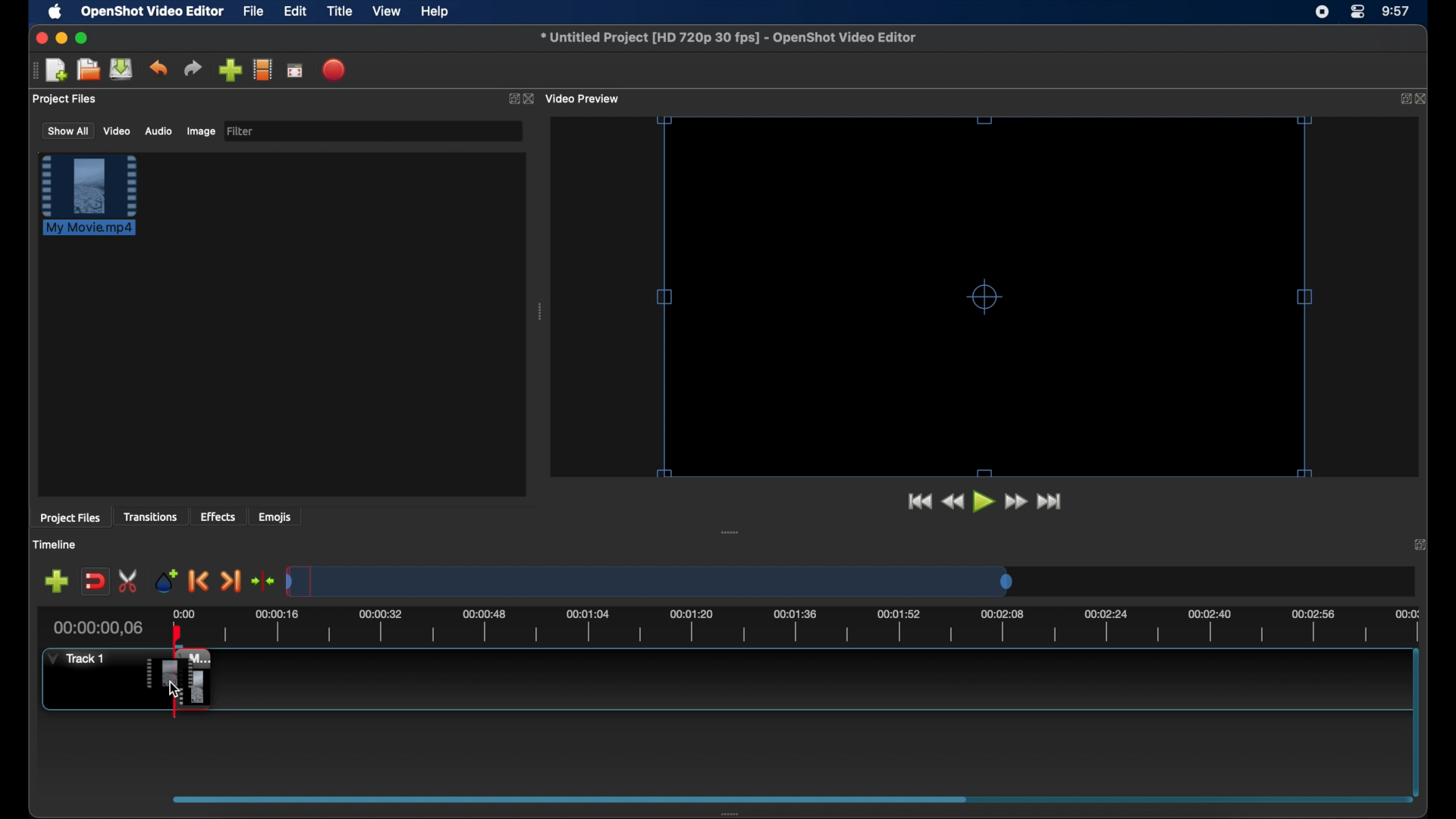 Image resolution: width=1456 pixels, height=819 pixels. What do you see at coordinates (1401, 99) in the screenshot?
I see `expand` at bounding box center [1401, 99].